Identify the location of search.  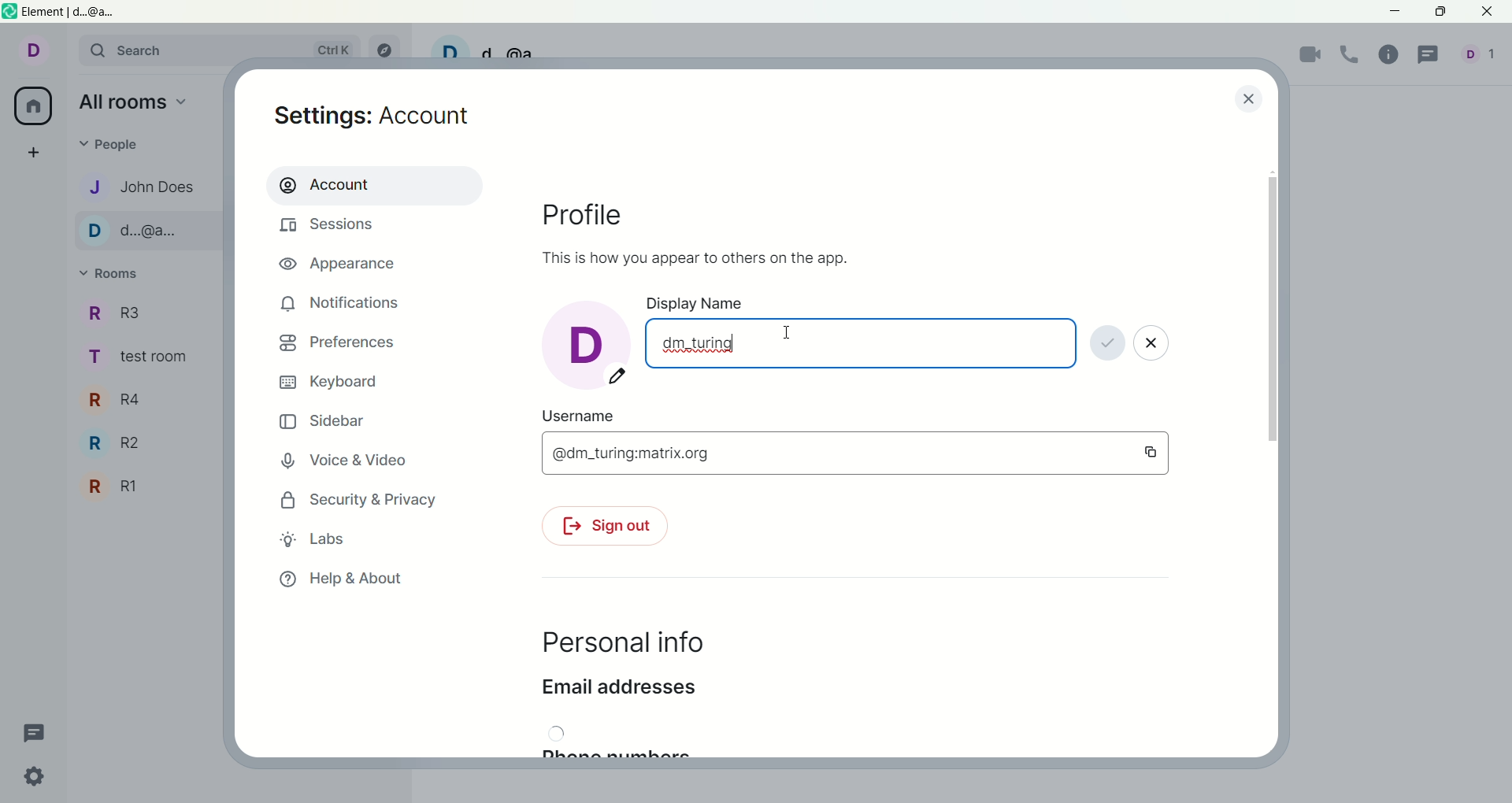
(226, 51).